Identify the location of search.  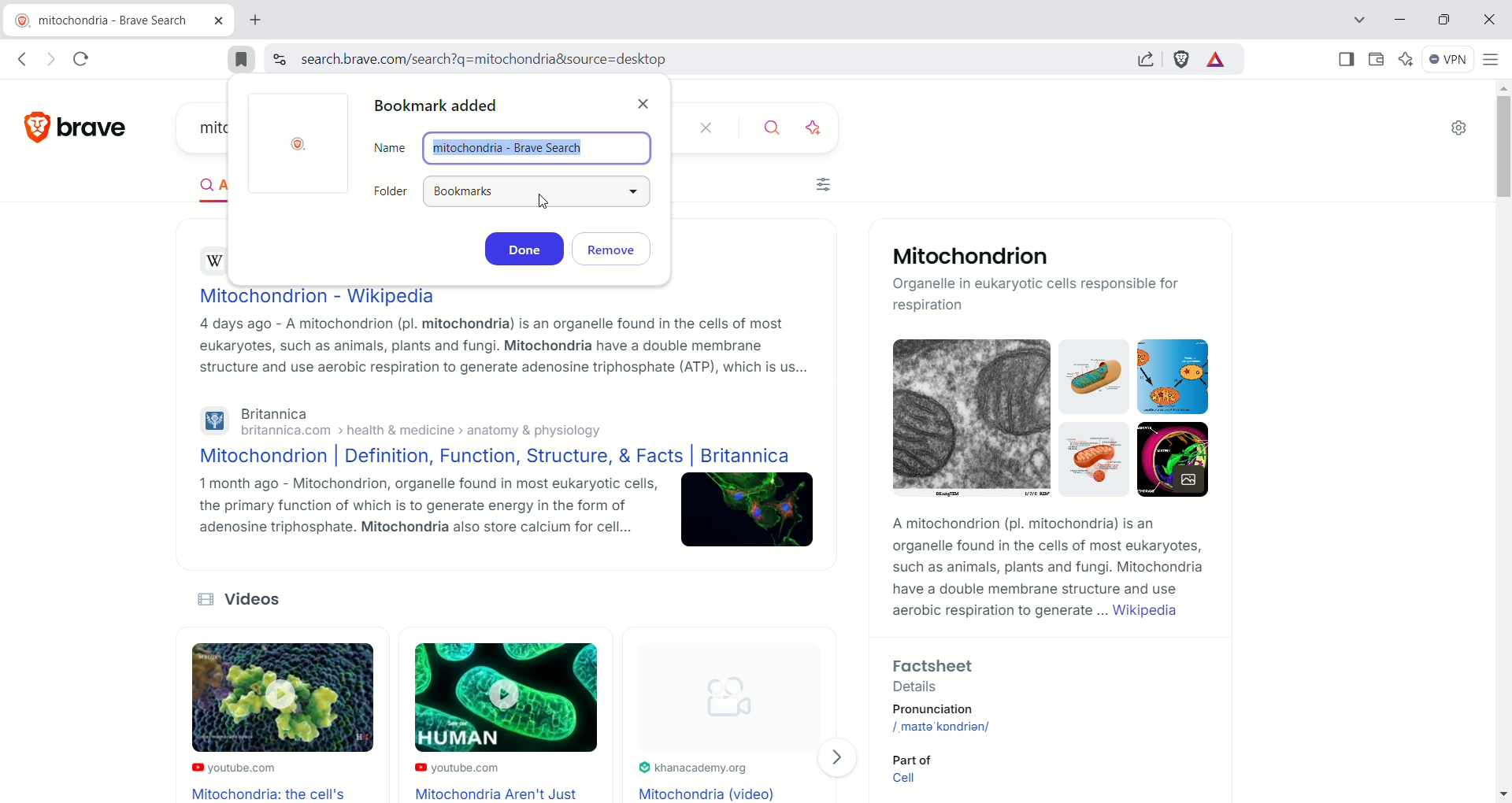
(764, 128).